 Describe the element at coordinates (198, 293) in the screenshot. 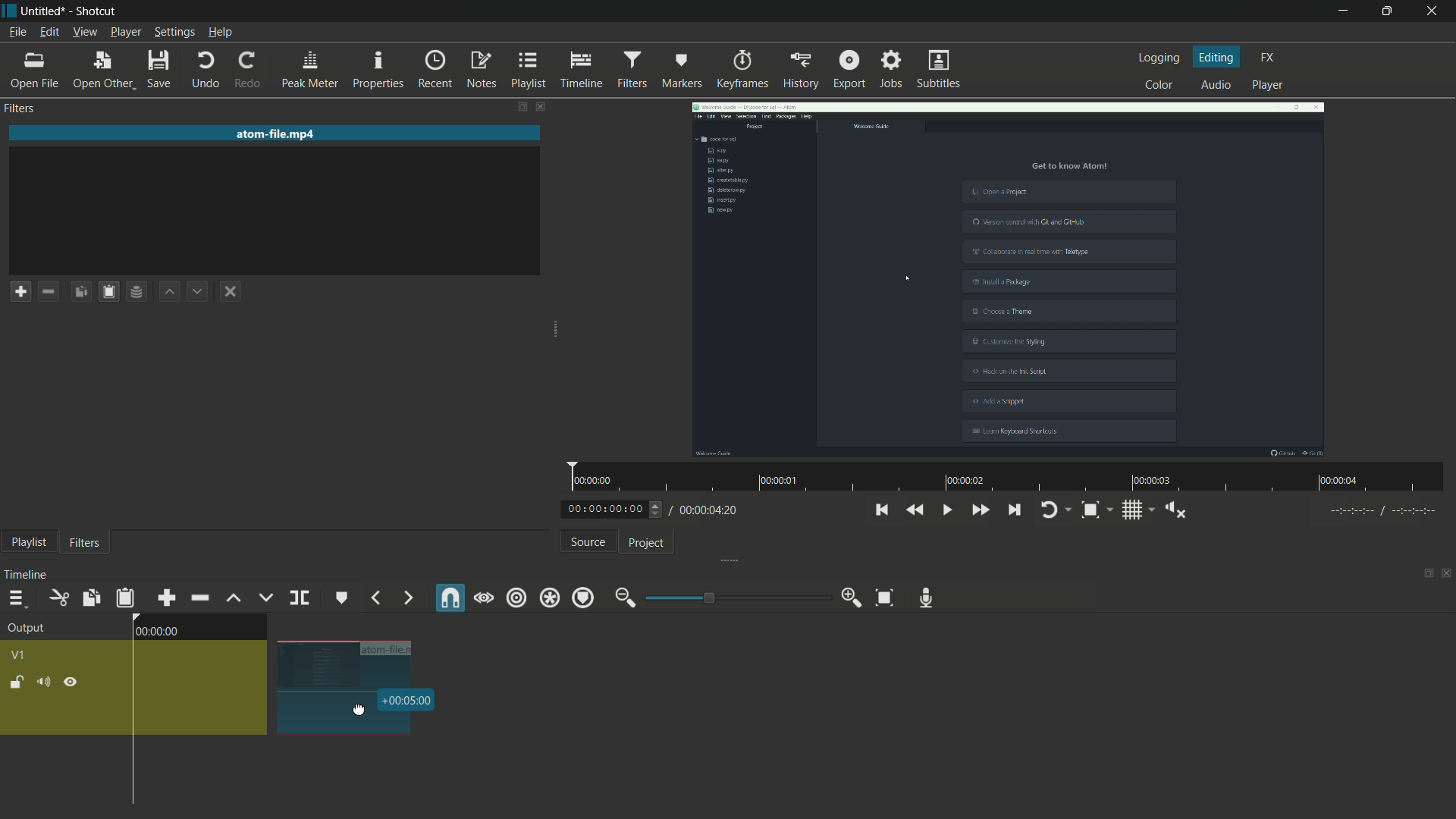

I see `move filter down` at that location.